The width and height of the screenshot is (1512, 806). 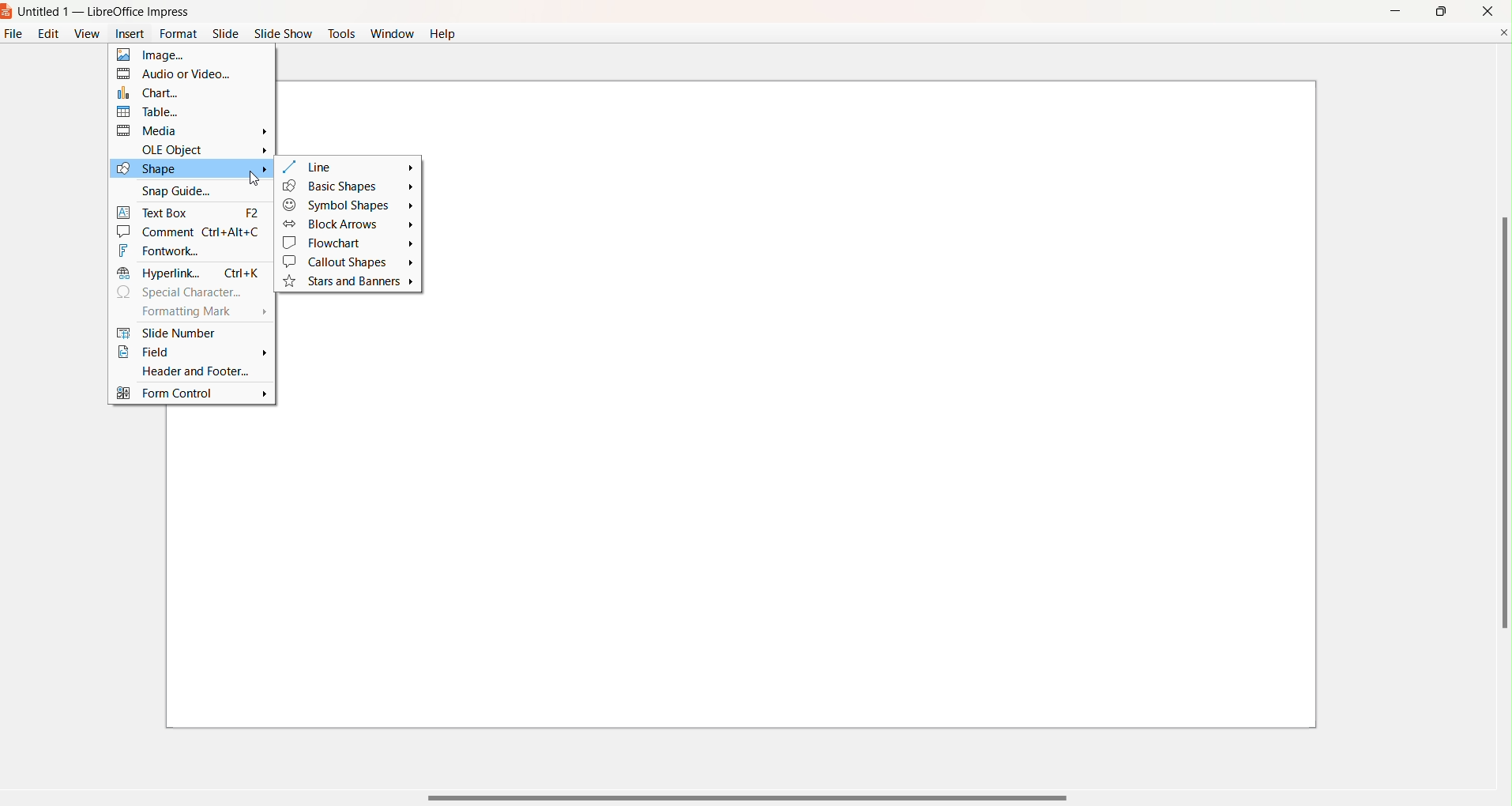 What do you see at coordinates (192, 395) in the screenshot?
I see `Form Control` at bounding box center [192, 395].